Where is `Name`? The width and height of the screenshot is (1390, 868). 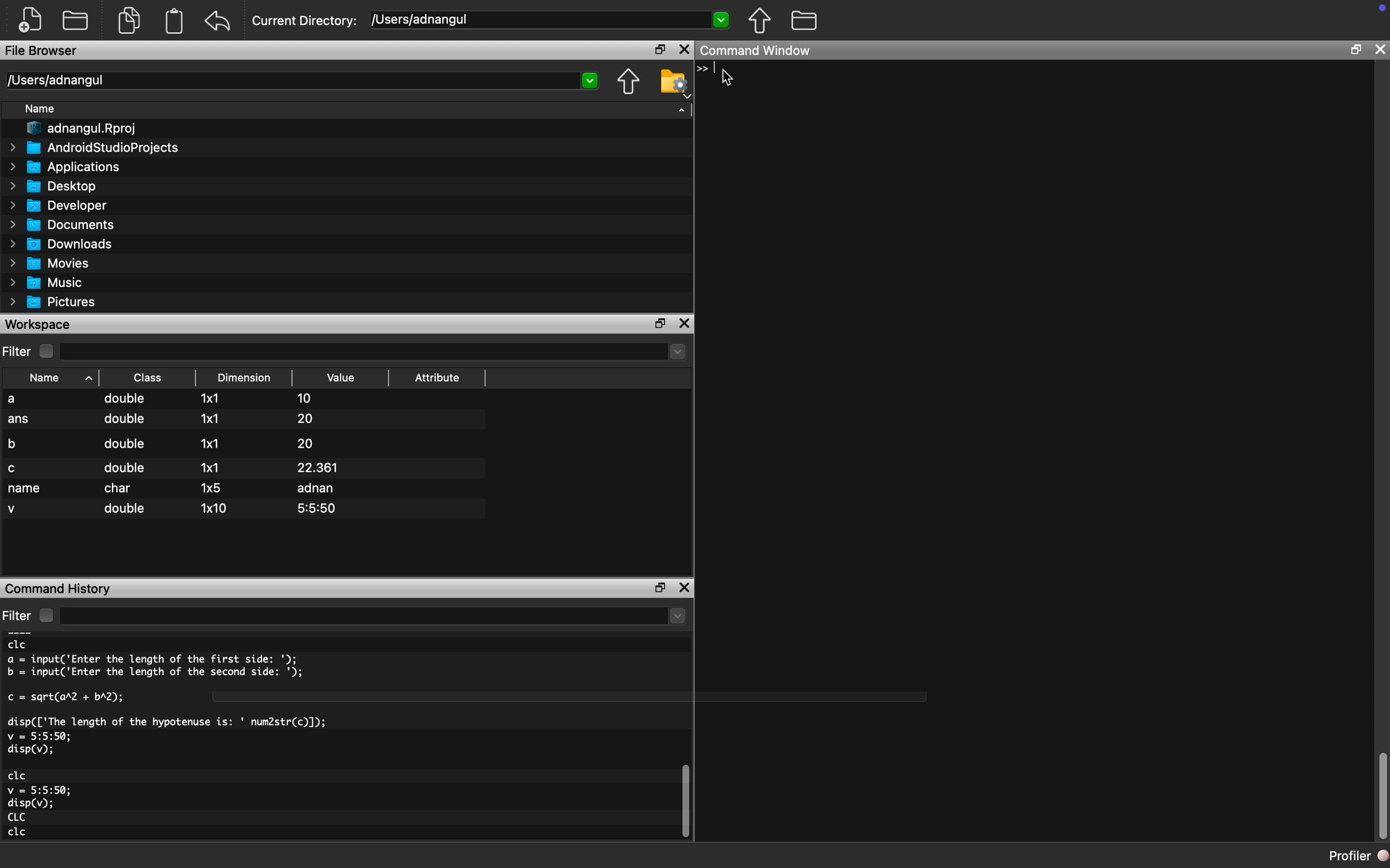
Name is located at coordinates (43, 108).